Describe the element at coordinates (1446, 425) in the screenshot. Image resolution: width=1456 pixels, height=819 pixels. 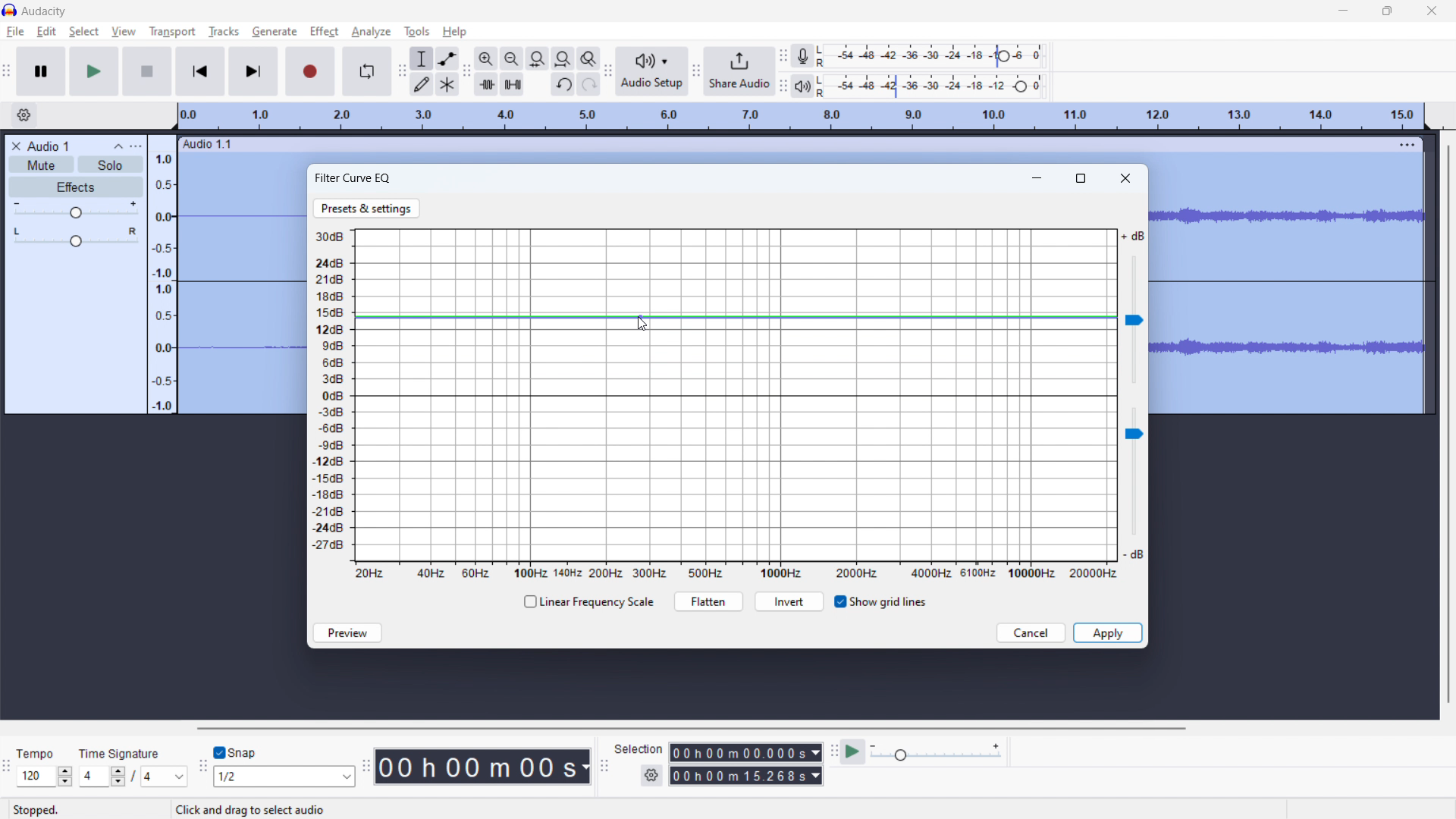
I see `vertical scroll bar` at that location.